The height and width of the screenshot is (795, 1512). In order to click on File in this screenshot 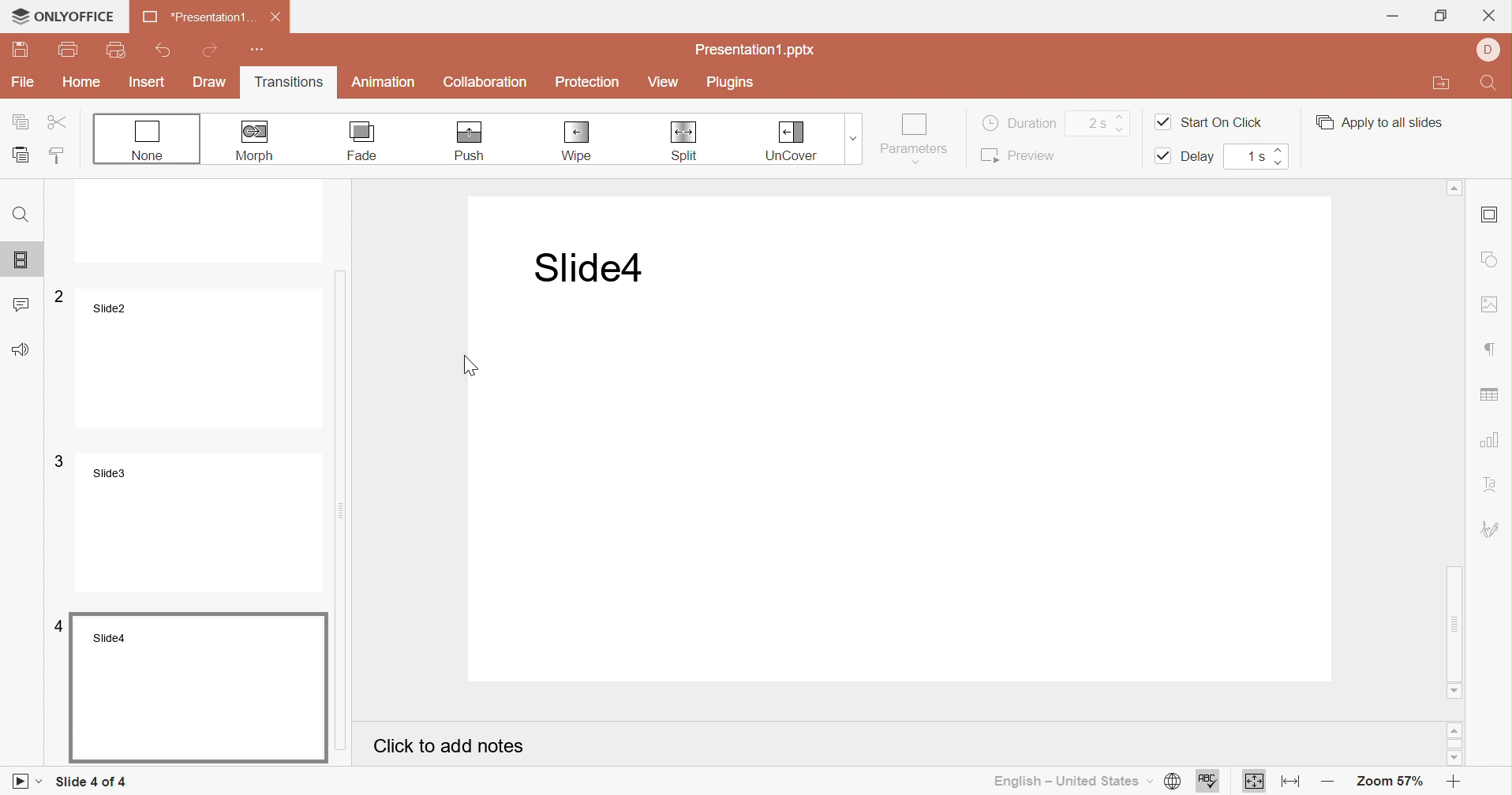, I will do `click(23, 83)`.